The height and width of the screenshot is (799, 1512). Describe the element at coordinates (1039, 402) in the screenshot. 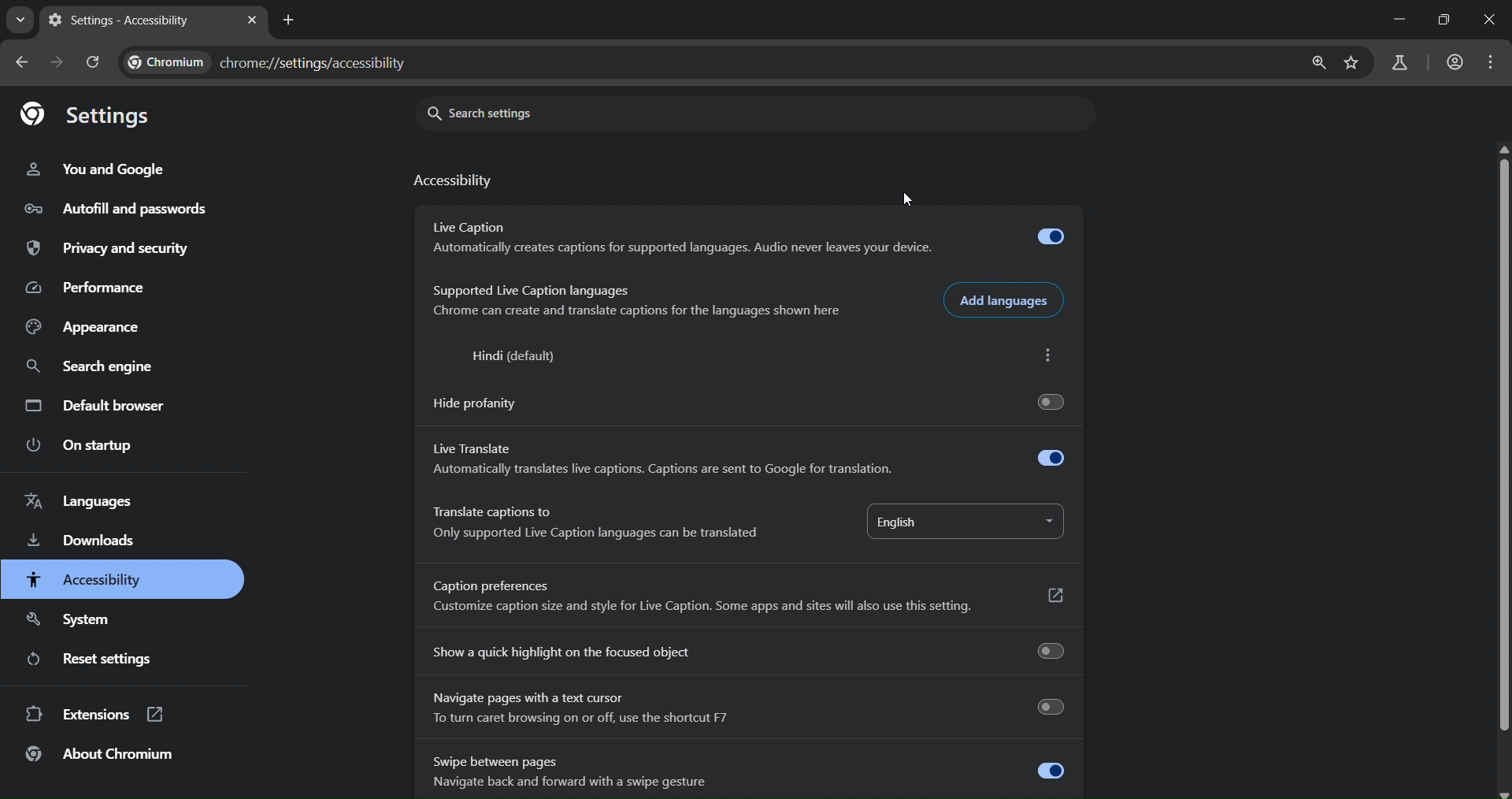

I see `Toogle` at that location.